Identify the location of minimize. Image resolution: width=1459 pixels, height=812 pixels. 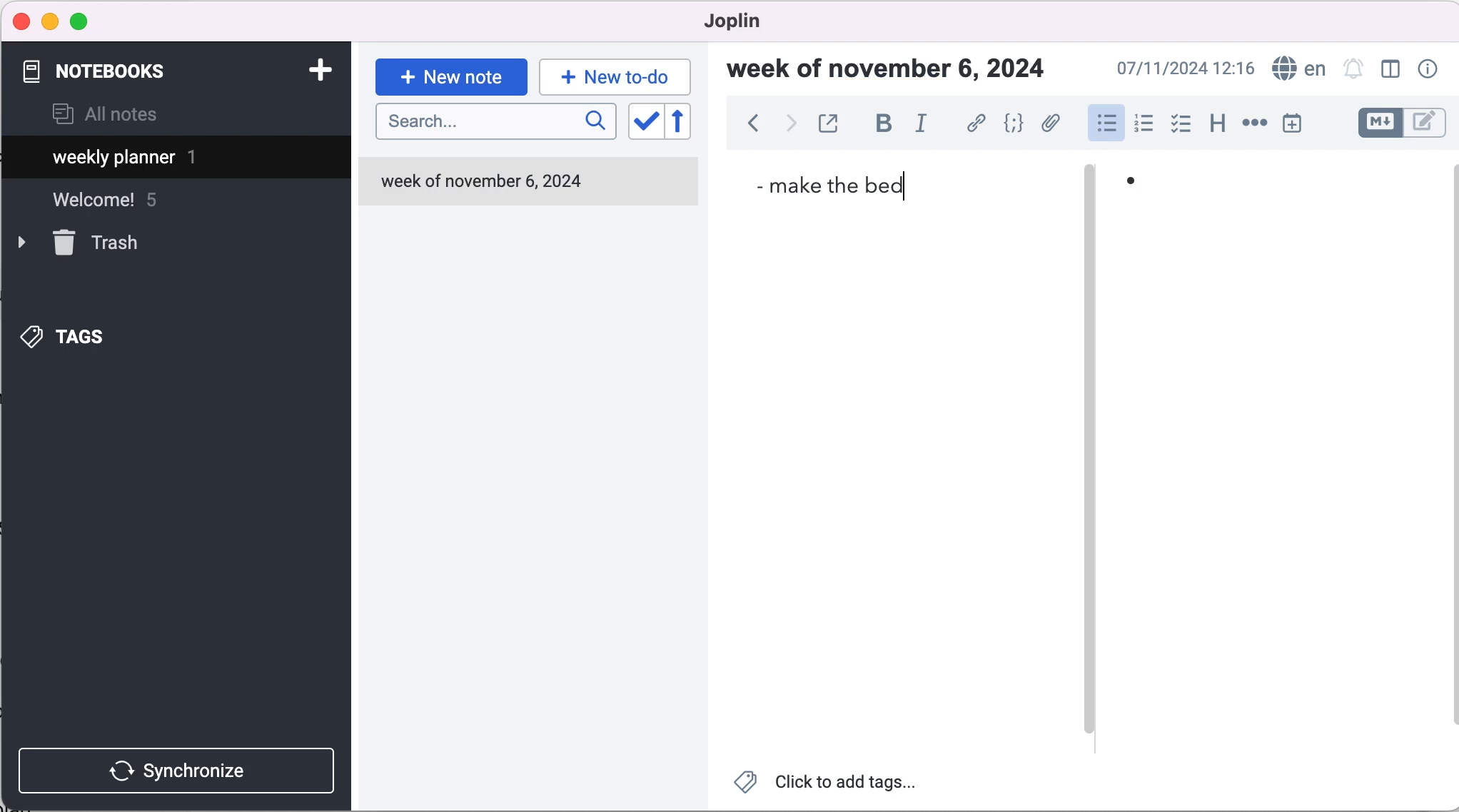
(50, 21).